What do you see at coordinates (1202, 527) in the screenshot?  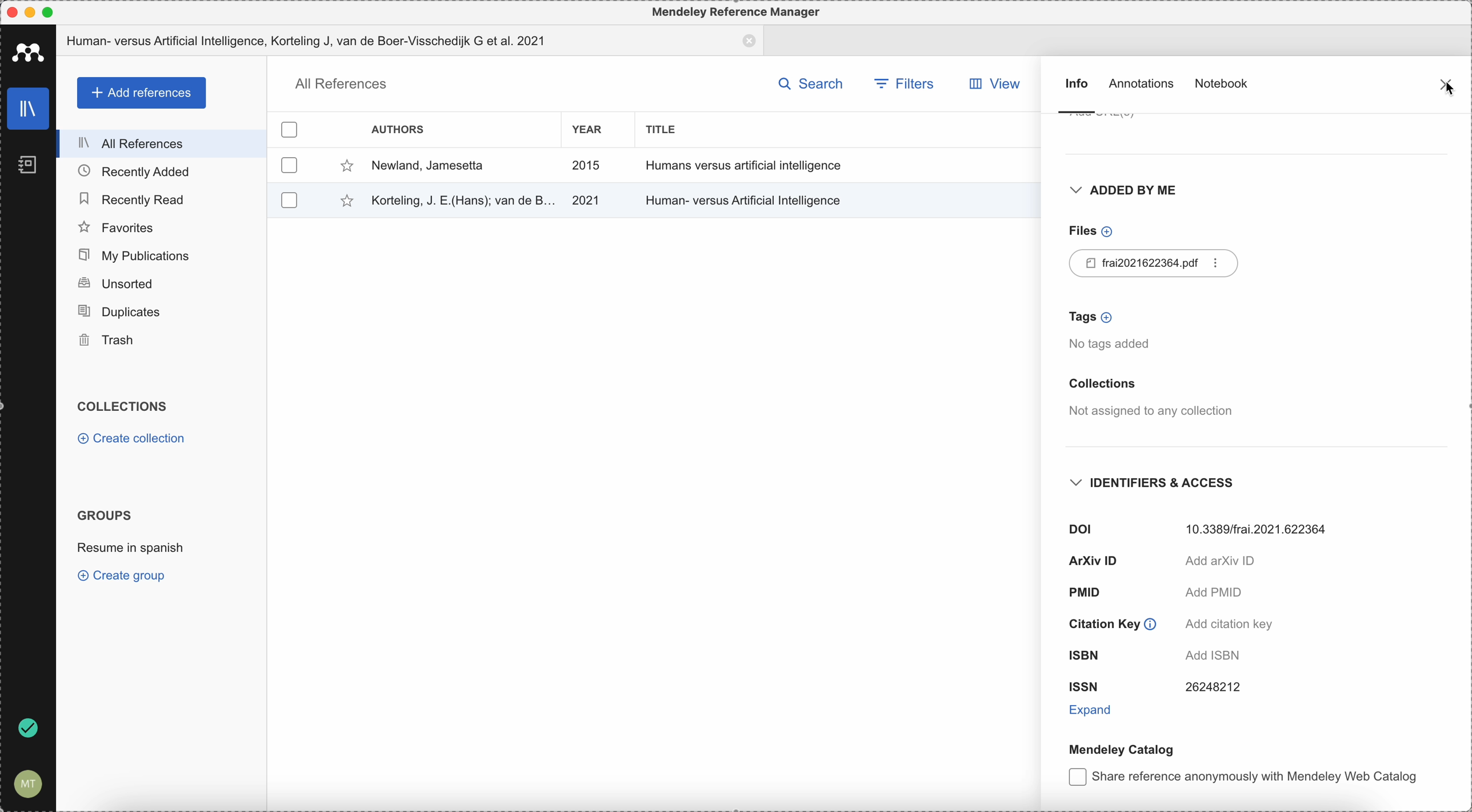 I see `DOI` at bounding box center [1202, 527].